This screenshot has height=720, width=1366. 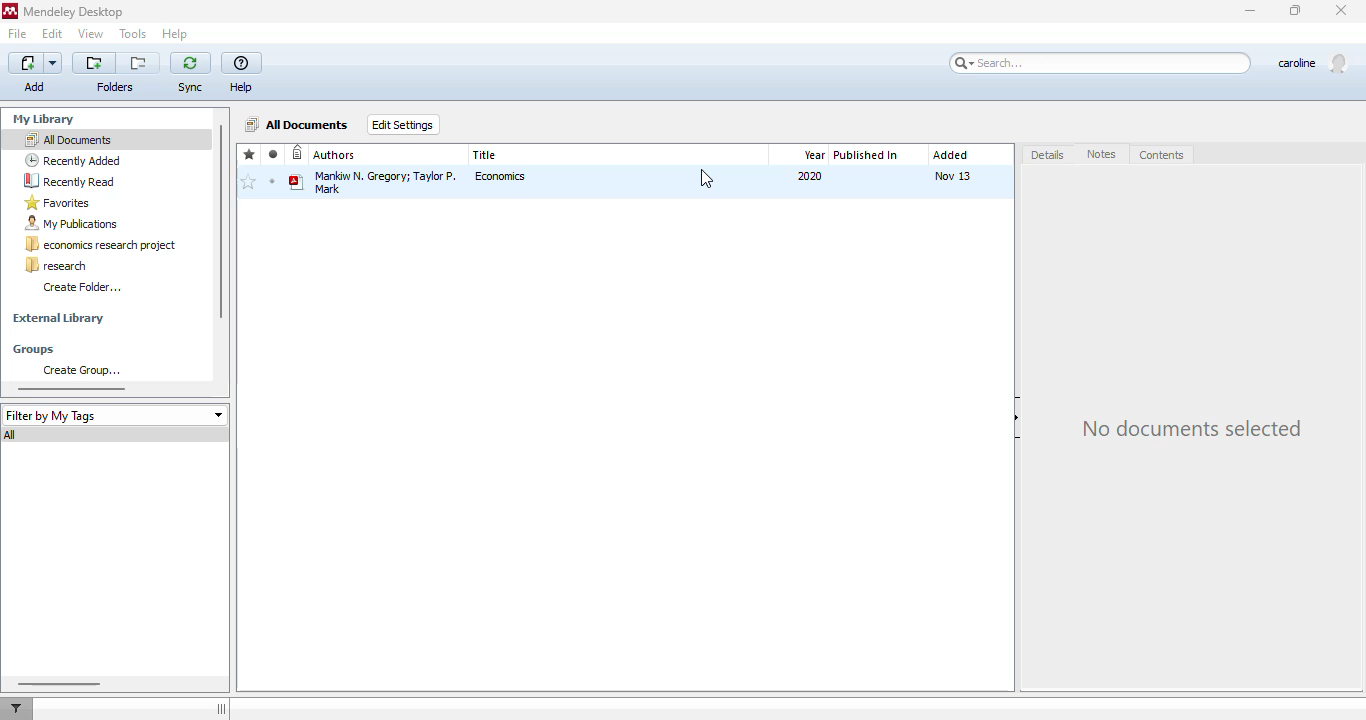 What do you see at coordinates (57, 683) in the screenshot?
I see `horizontal scroll bar` at bounding box center [57, 683].